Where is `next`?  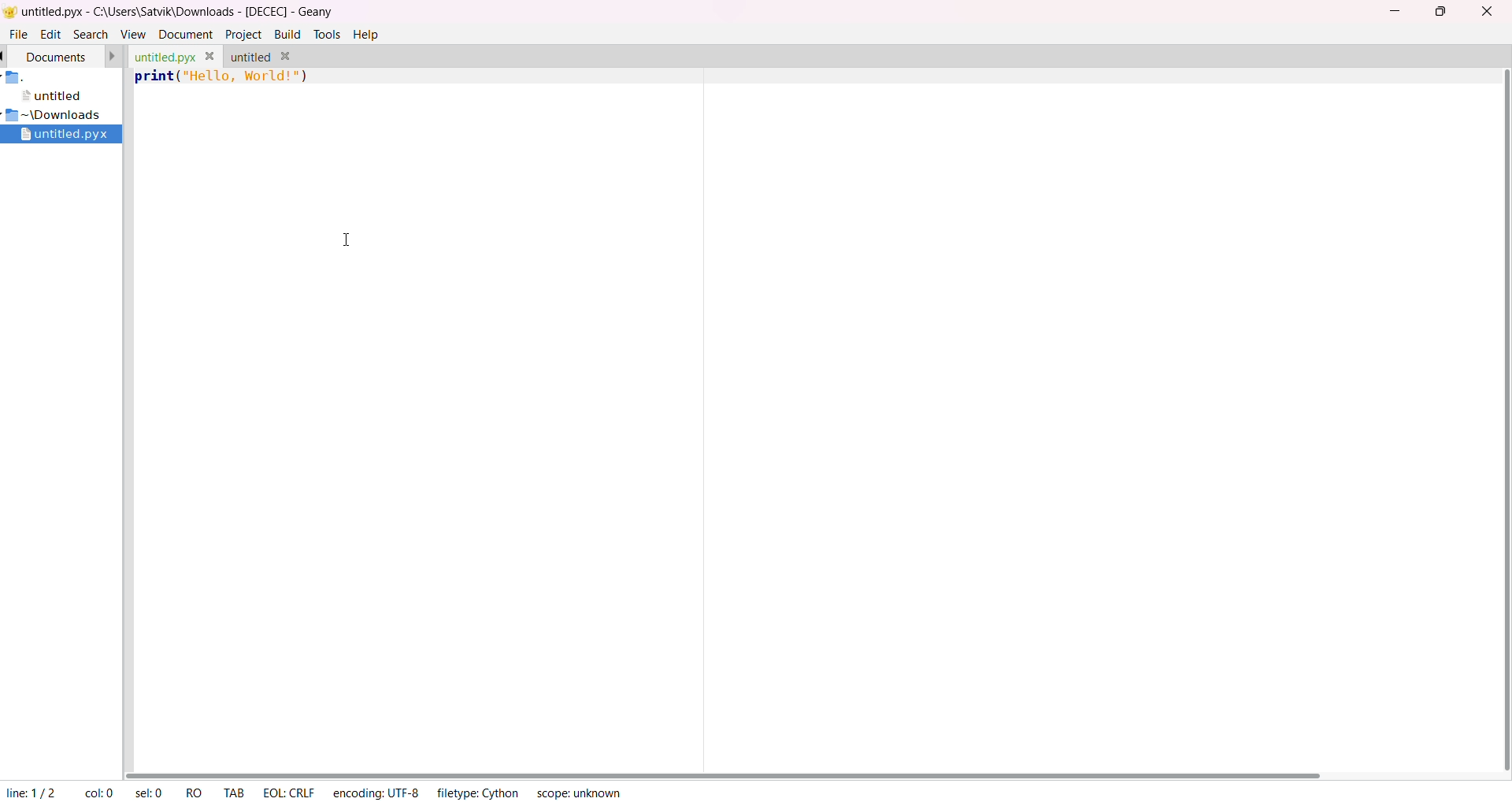 next is located at coordinates (114, 55).